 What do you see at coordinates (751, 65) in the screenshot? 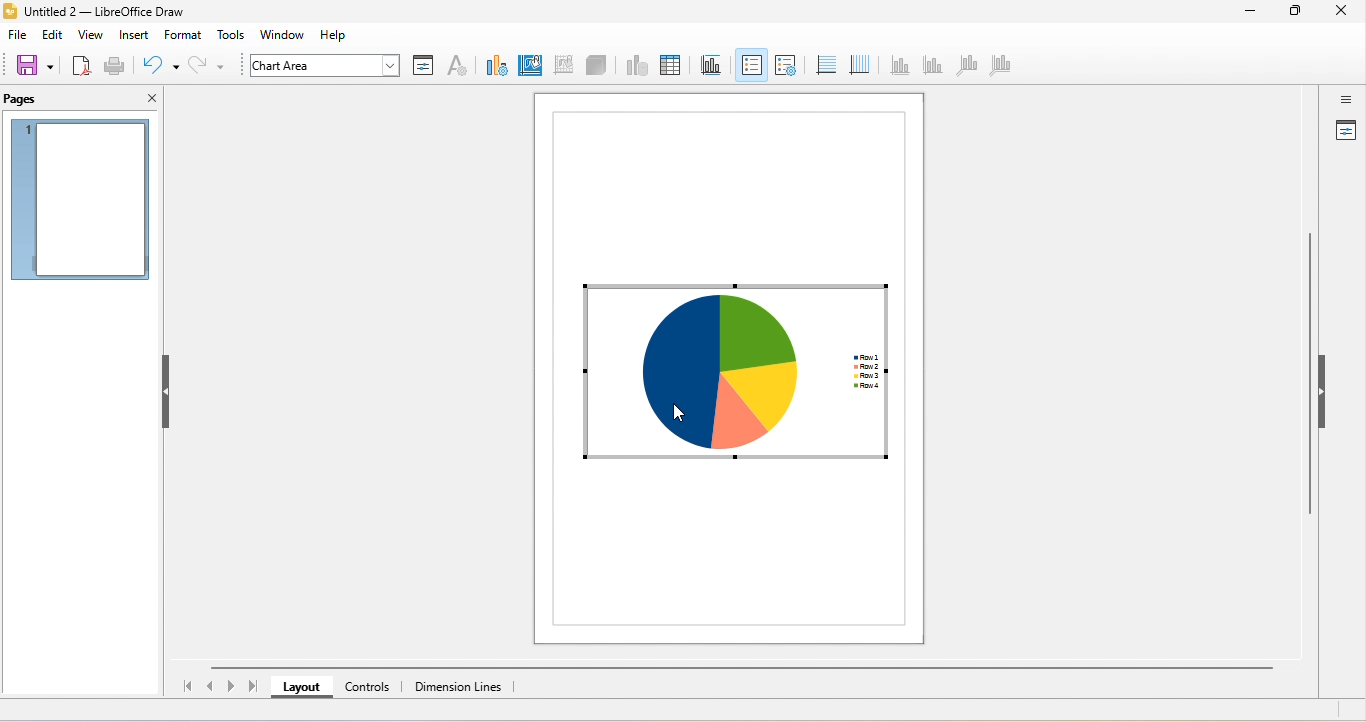
I see `legend on/ off` at bounding box center [751, 65].